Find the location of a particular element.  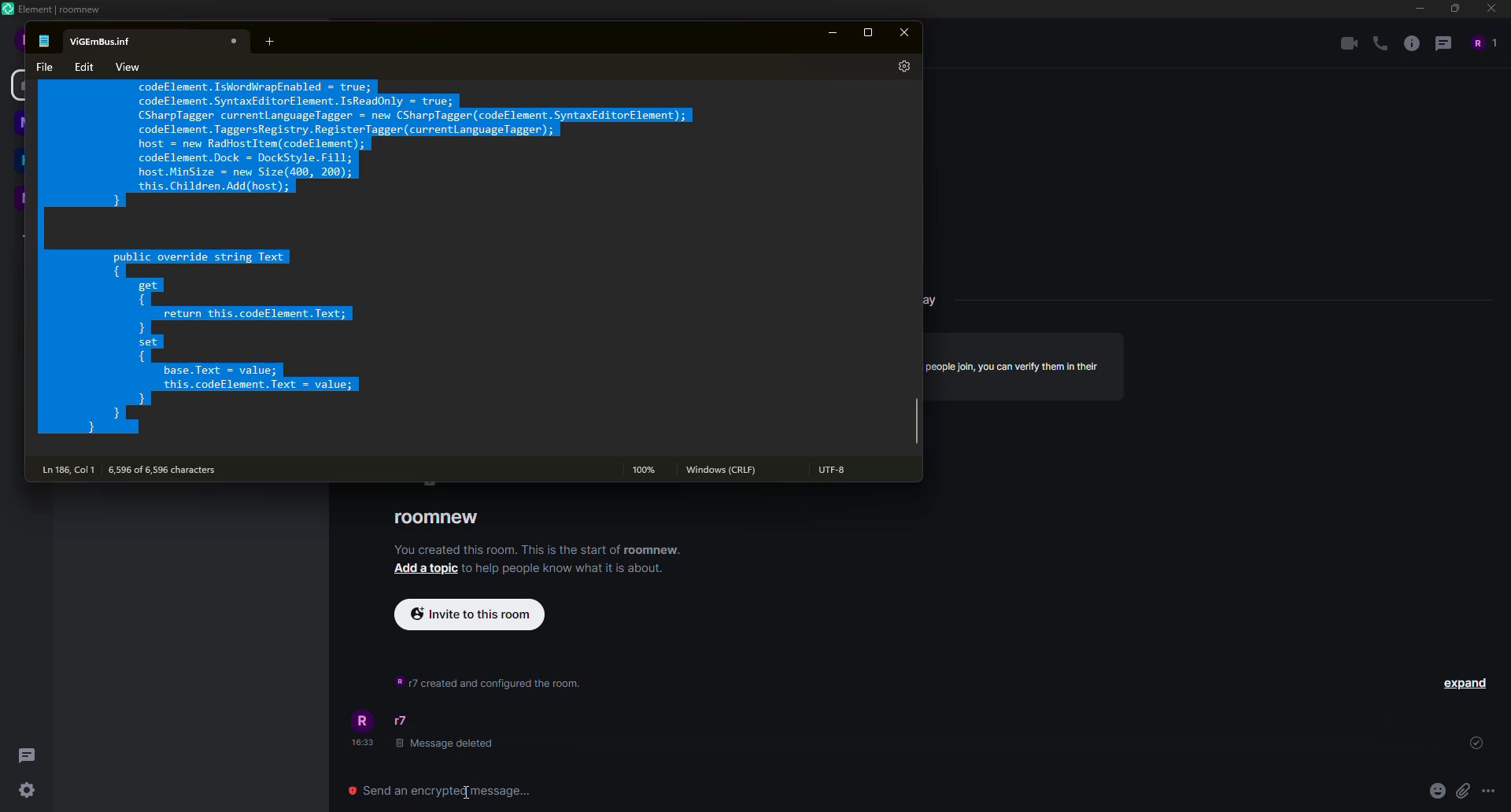

info is located at coordinates (564, 568).